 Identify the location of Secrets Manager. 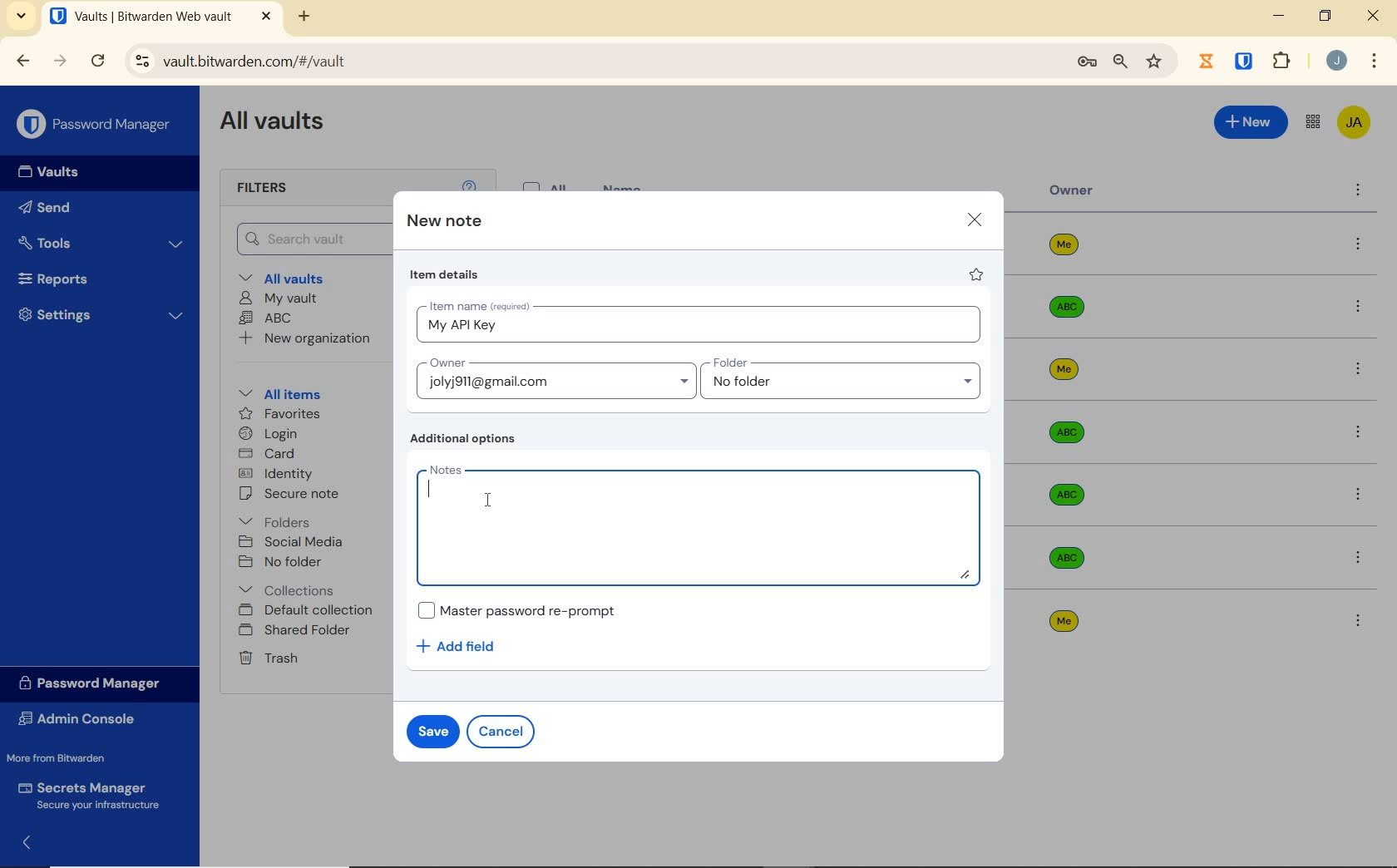
(93, 793).